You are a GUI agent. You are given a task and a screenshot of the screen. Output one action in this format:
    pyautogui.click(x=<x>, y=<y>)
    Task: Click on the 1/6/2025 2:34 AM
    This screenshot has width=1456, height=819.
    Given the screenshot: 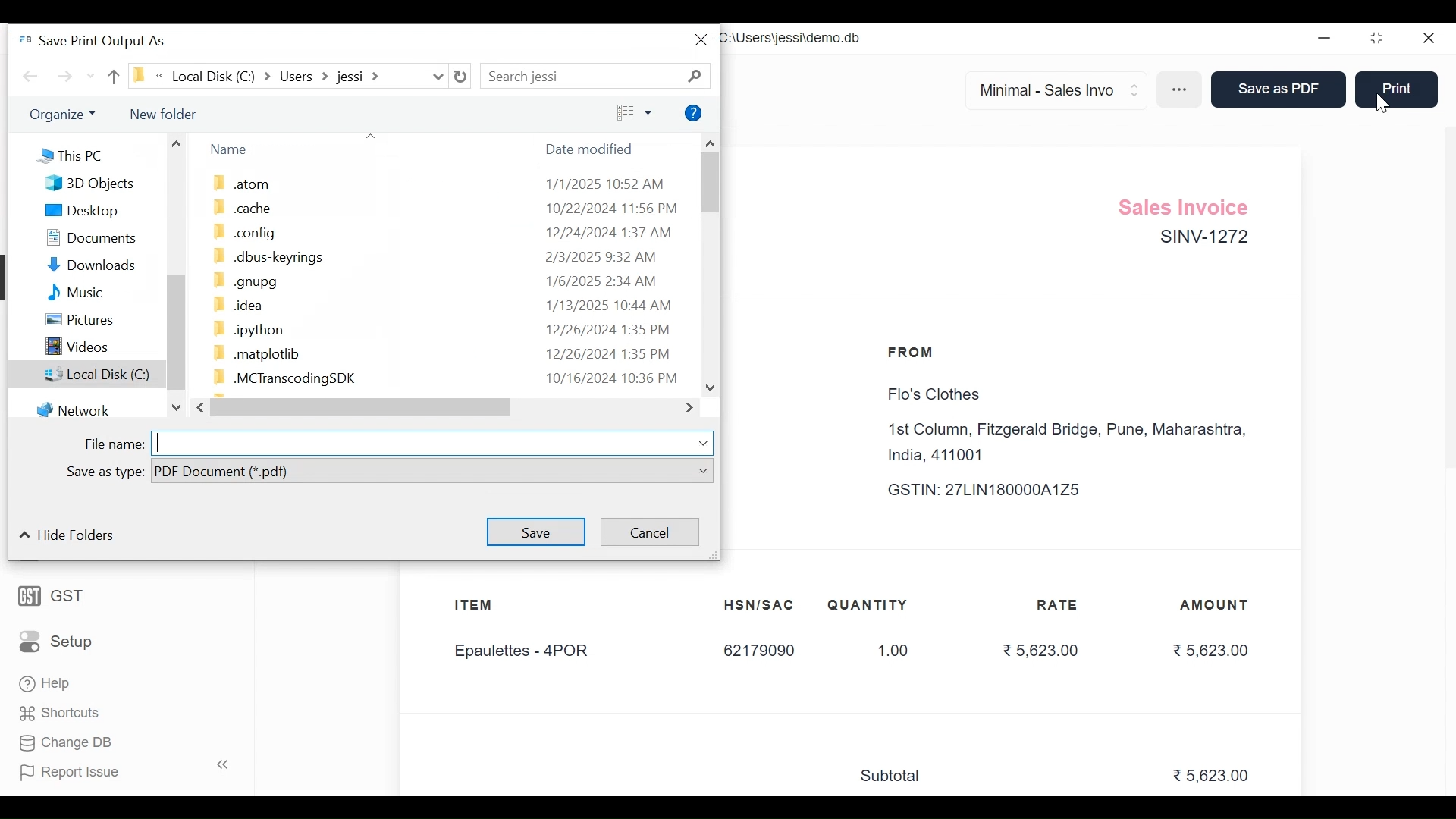 What is the action you would take?
    pyautogui.click(x=604, y=280)
    